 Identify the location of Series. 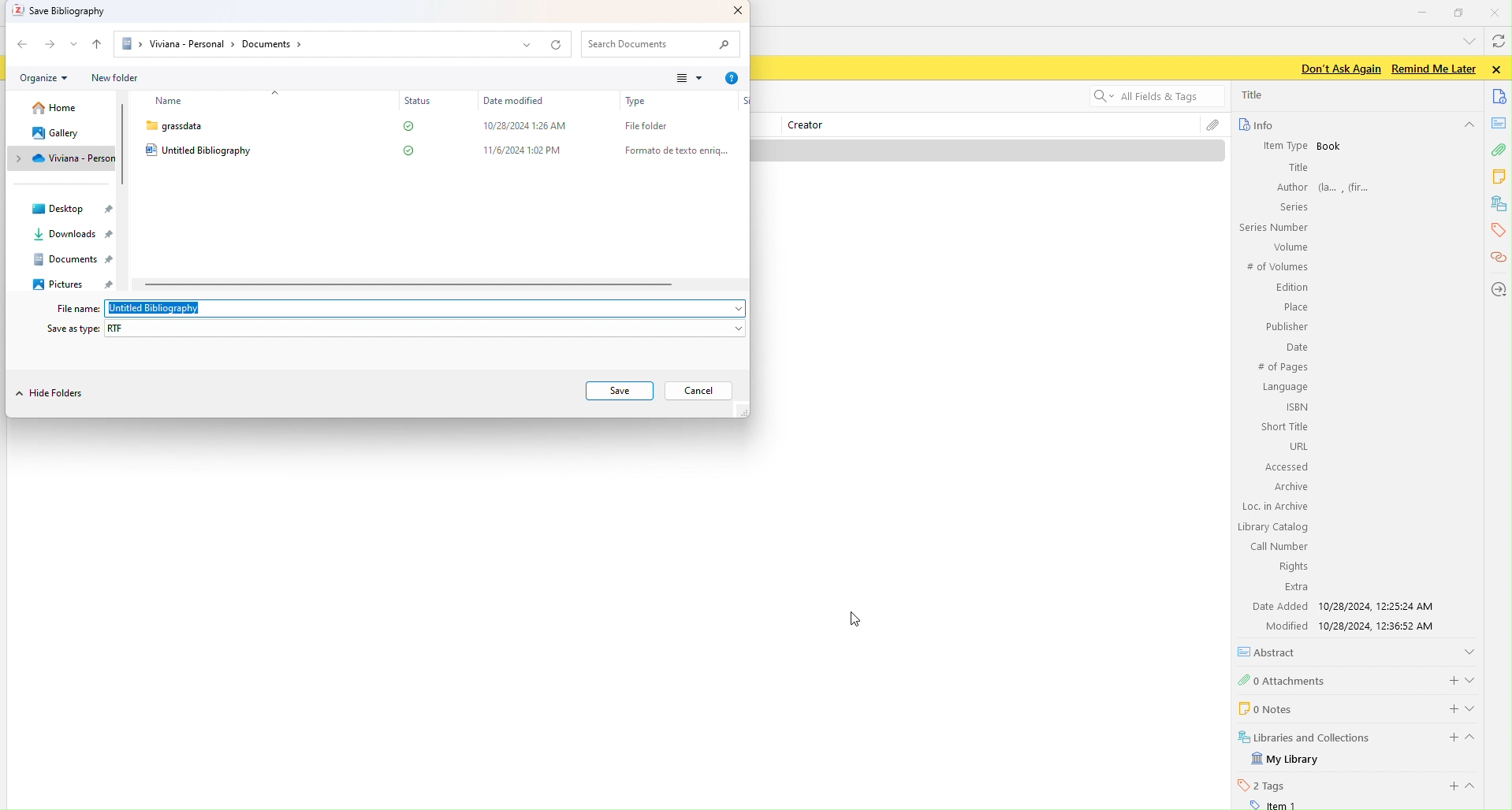
(1291, 206).